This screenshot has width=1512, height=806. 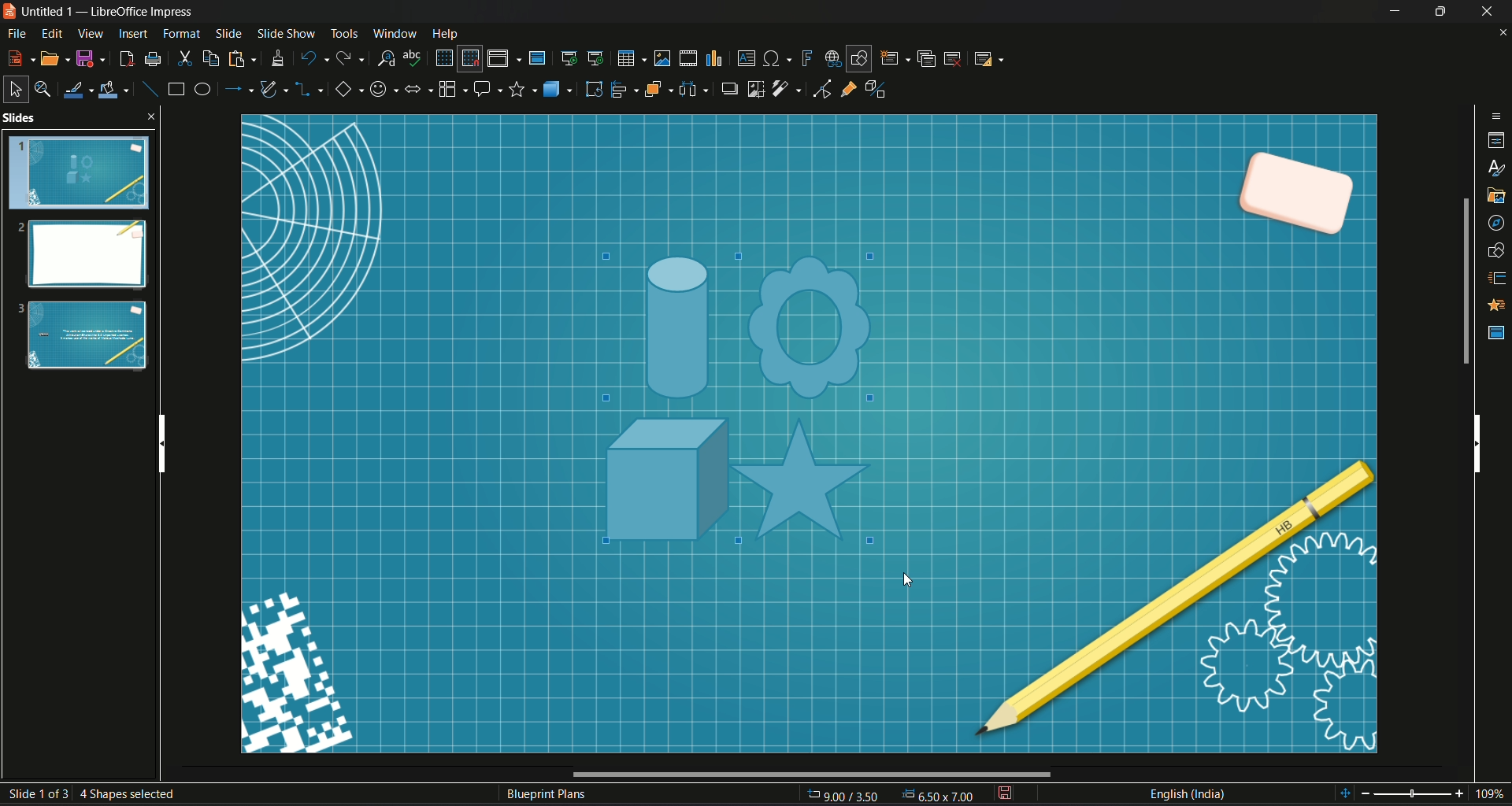 What do you see at coordinates (229, 32) in the screenshot?
I see `slide` at bounding box center [229, 32].